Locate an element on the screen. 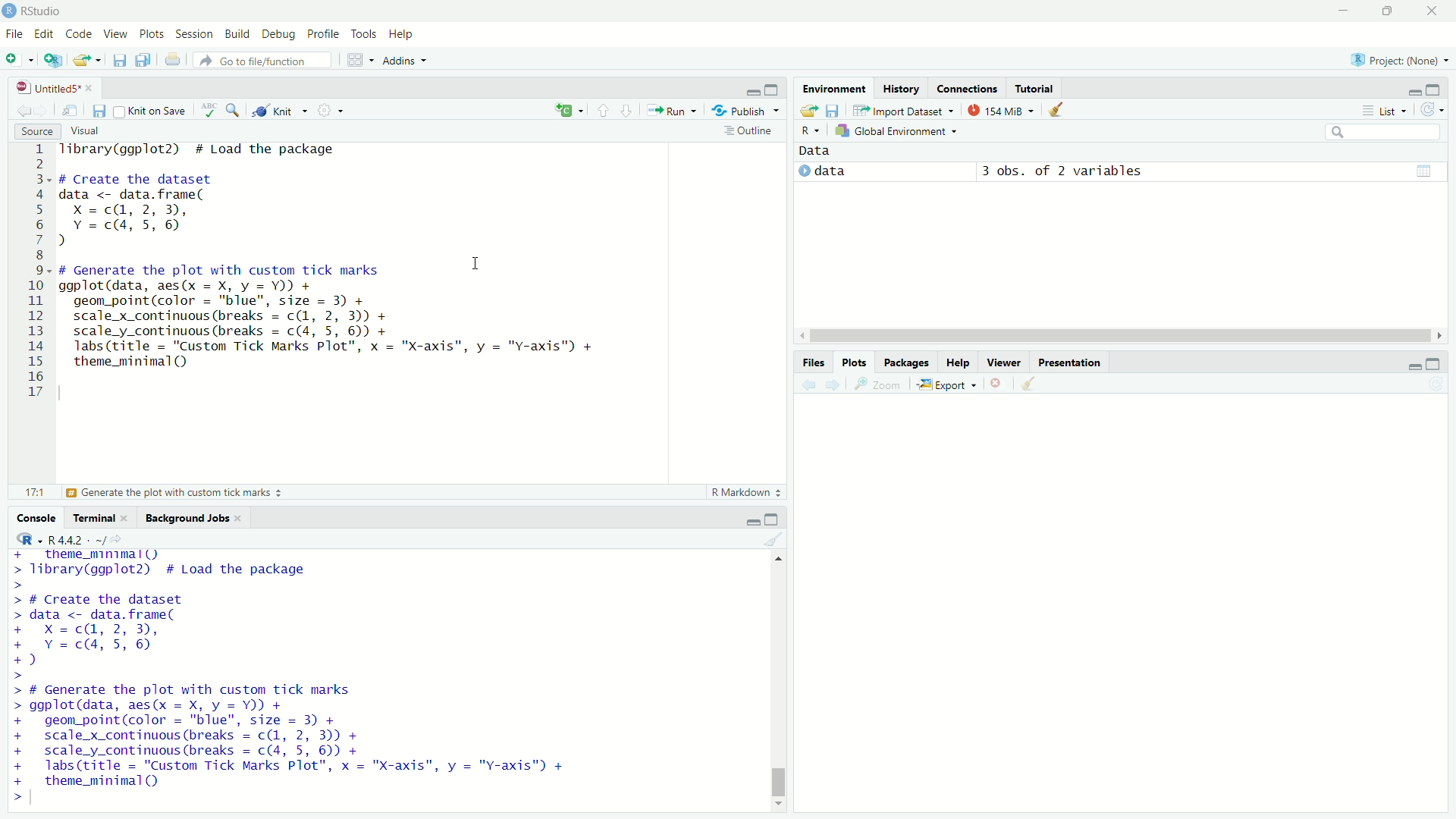 The height and width of the screenshot is (819, 1456). code is located at coordinates (80, 35).